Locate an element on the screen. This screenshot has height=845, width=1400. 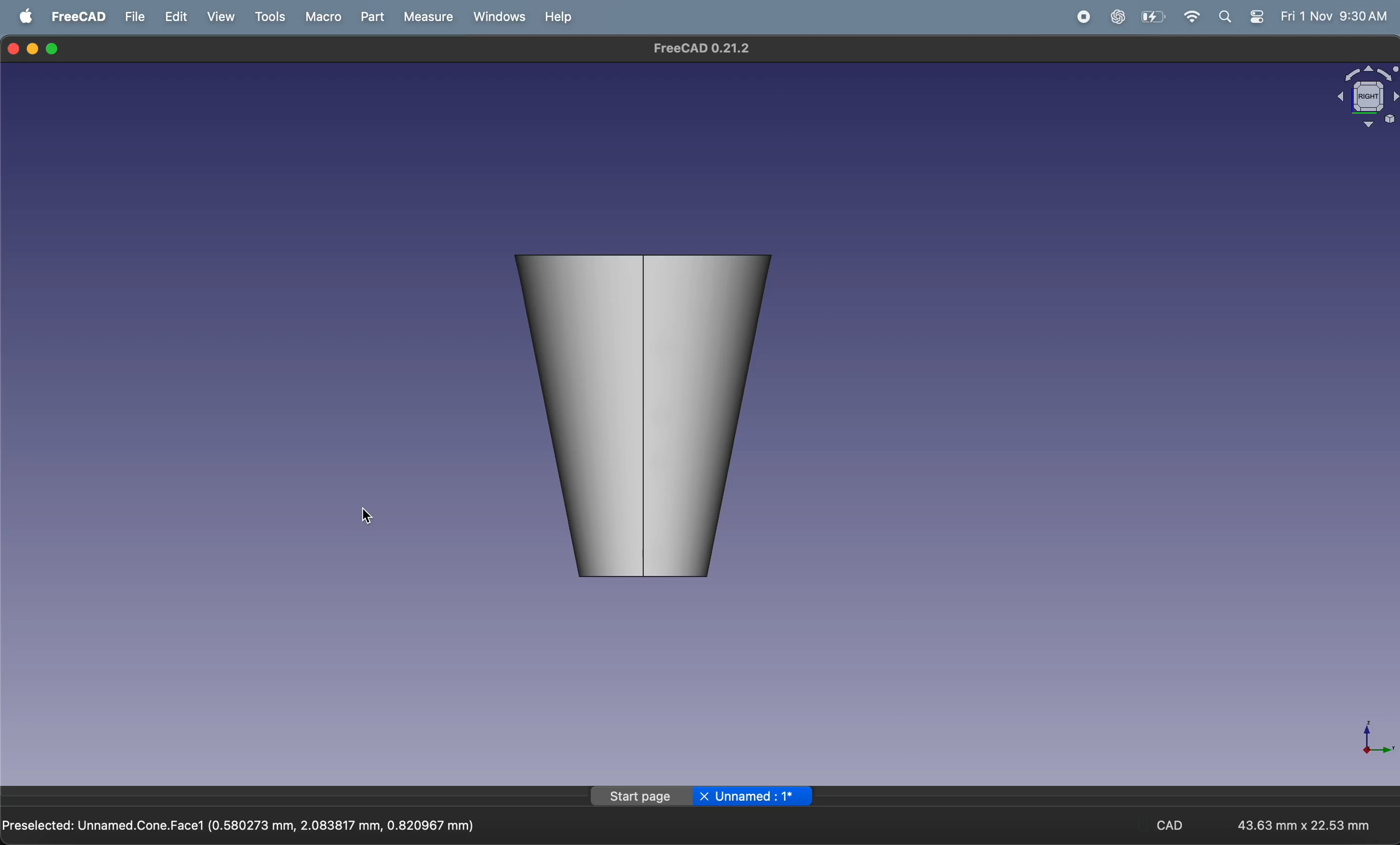
maximize is located at coordinates (55, 49).